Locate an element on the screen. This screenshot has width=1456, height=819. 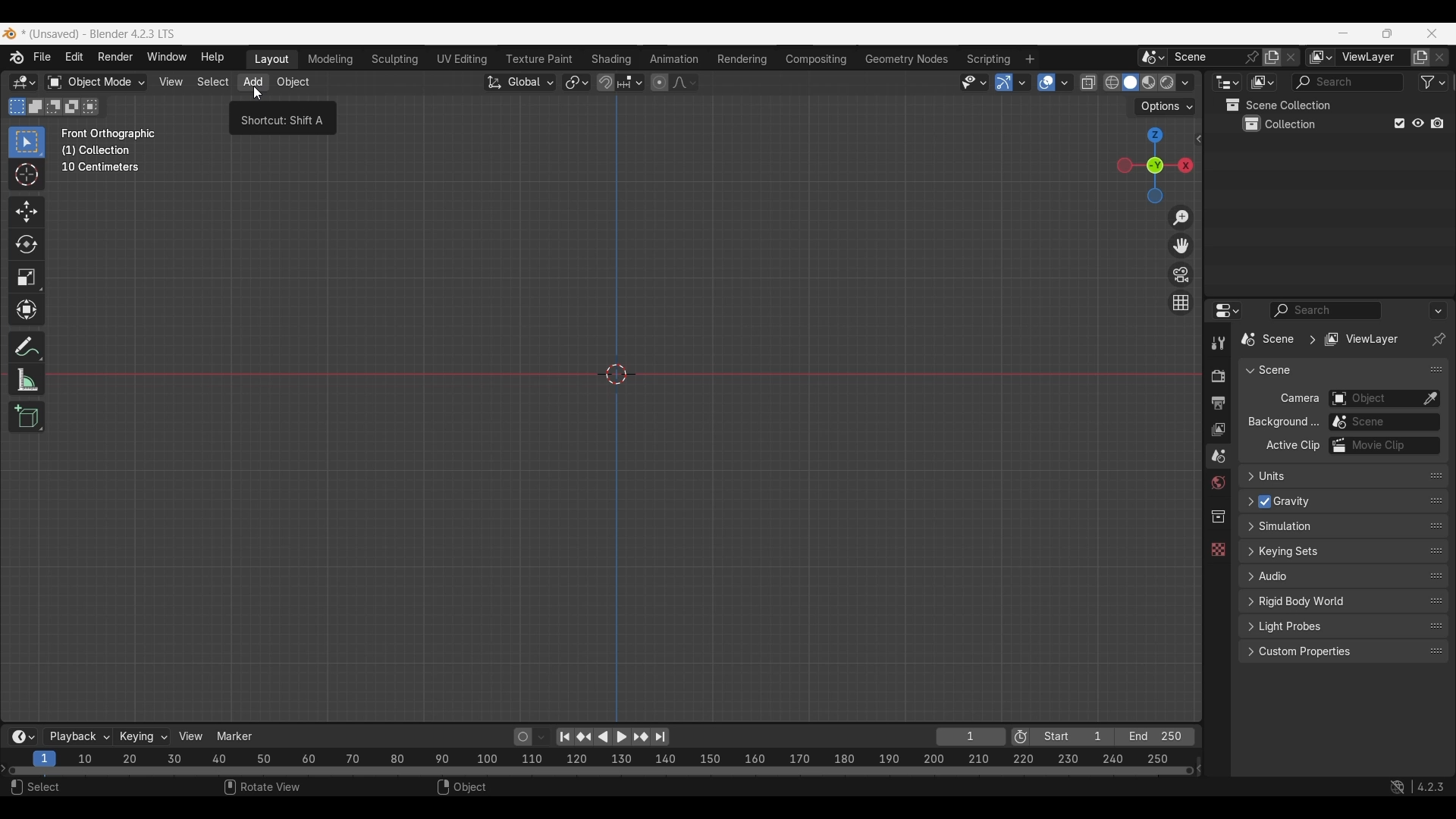
View layer is located at coordinates (1217, 431).